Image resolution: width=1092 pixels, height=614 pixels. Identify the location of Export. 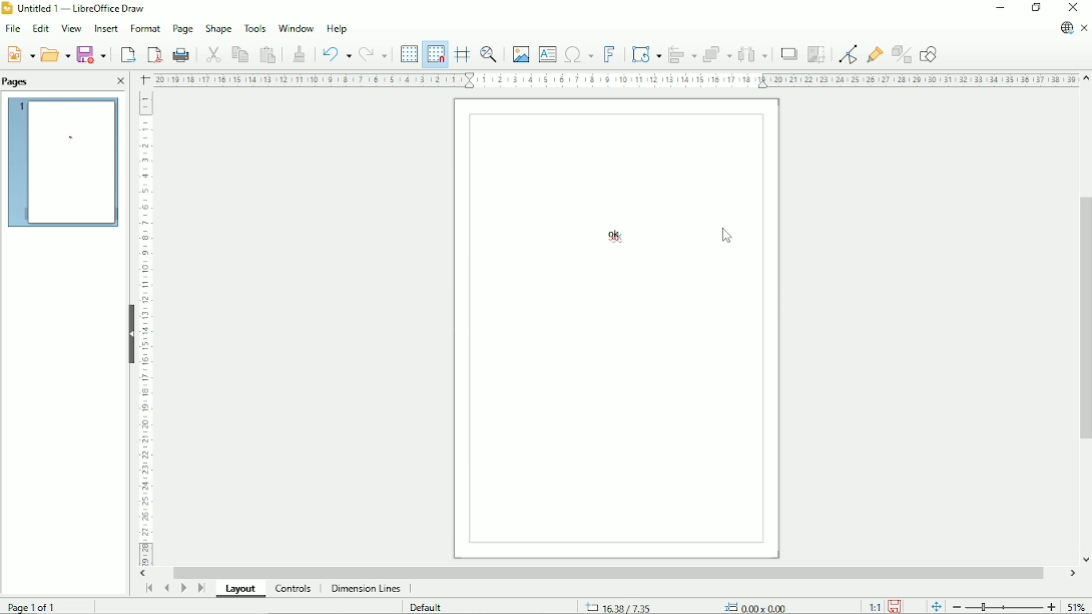
(127, 55).